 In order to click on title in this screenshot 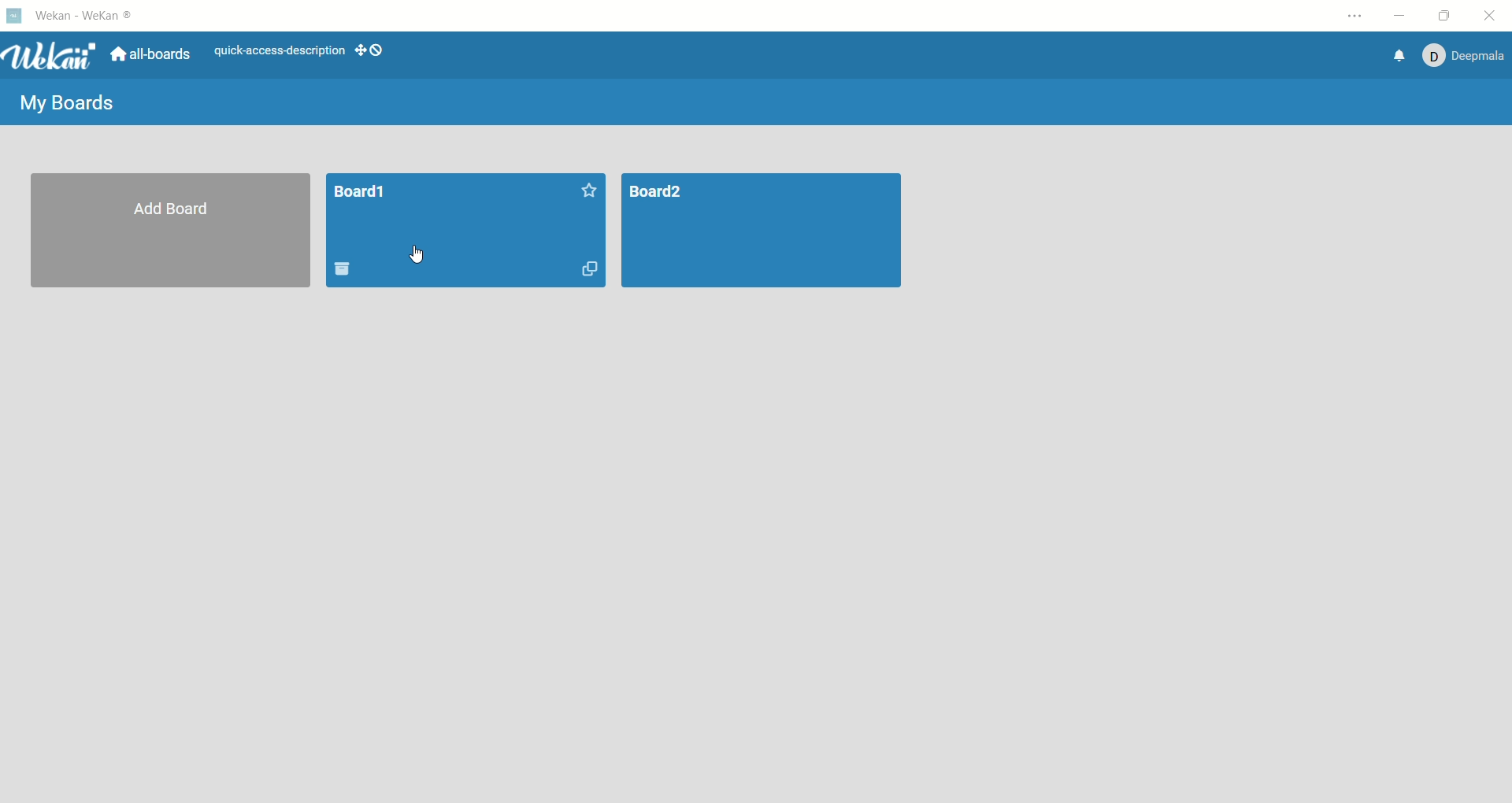, I will do `click(87, 15)`.